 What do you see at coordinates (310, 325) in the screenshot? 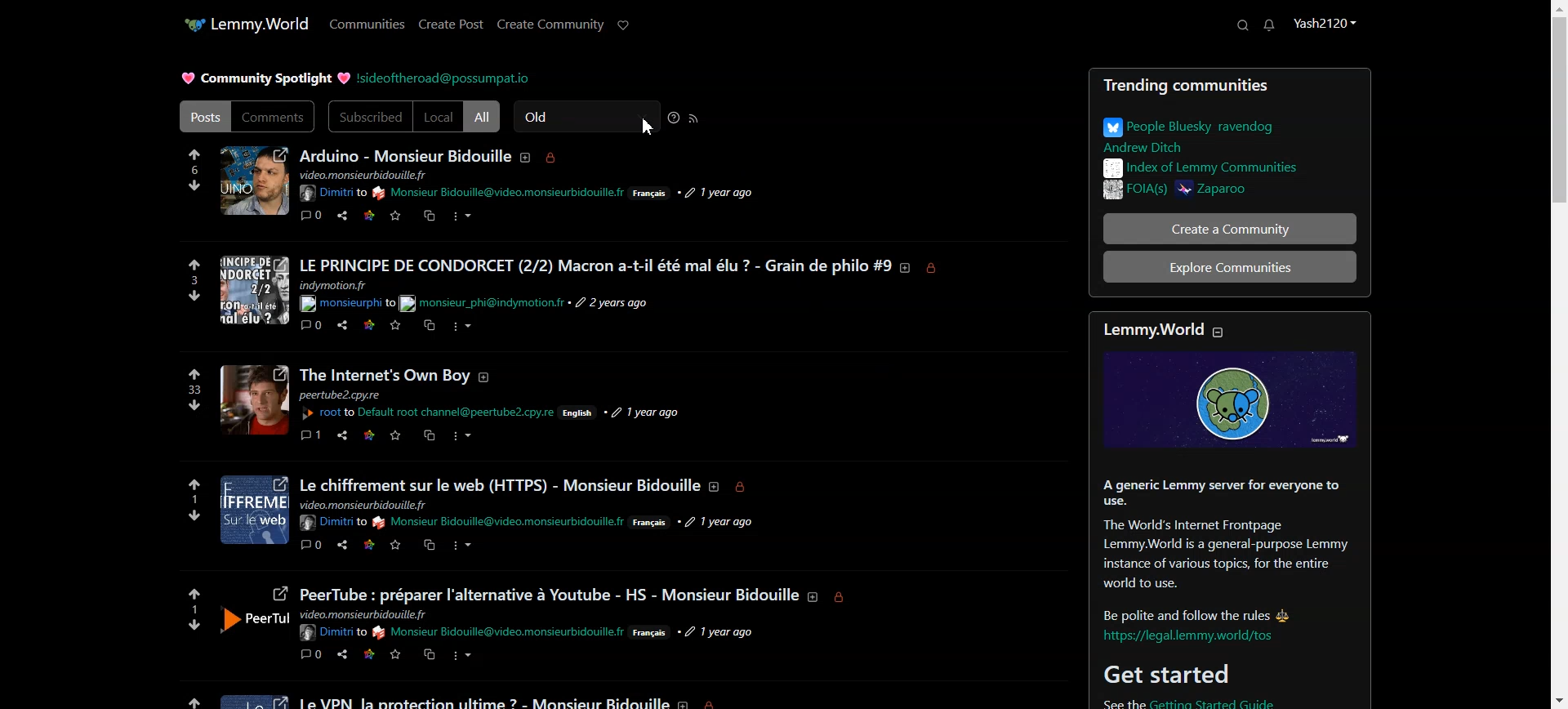
I see `comment` at bounding box center [310, 325].